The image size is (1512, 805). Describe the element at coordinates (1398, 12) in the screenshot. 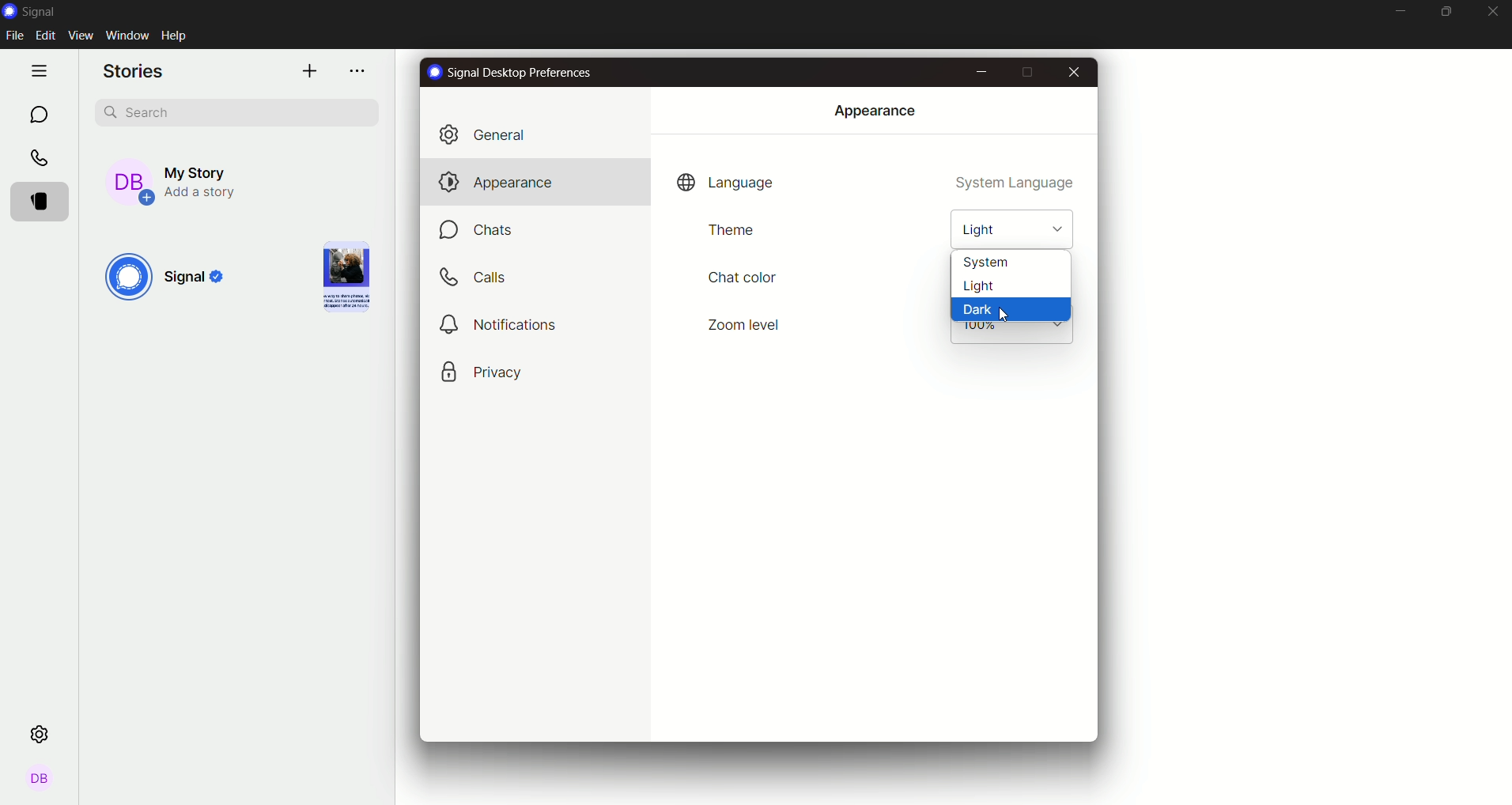

I see `minimize` at that location.